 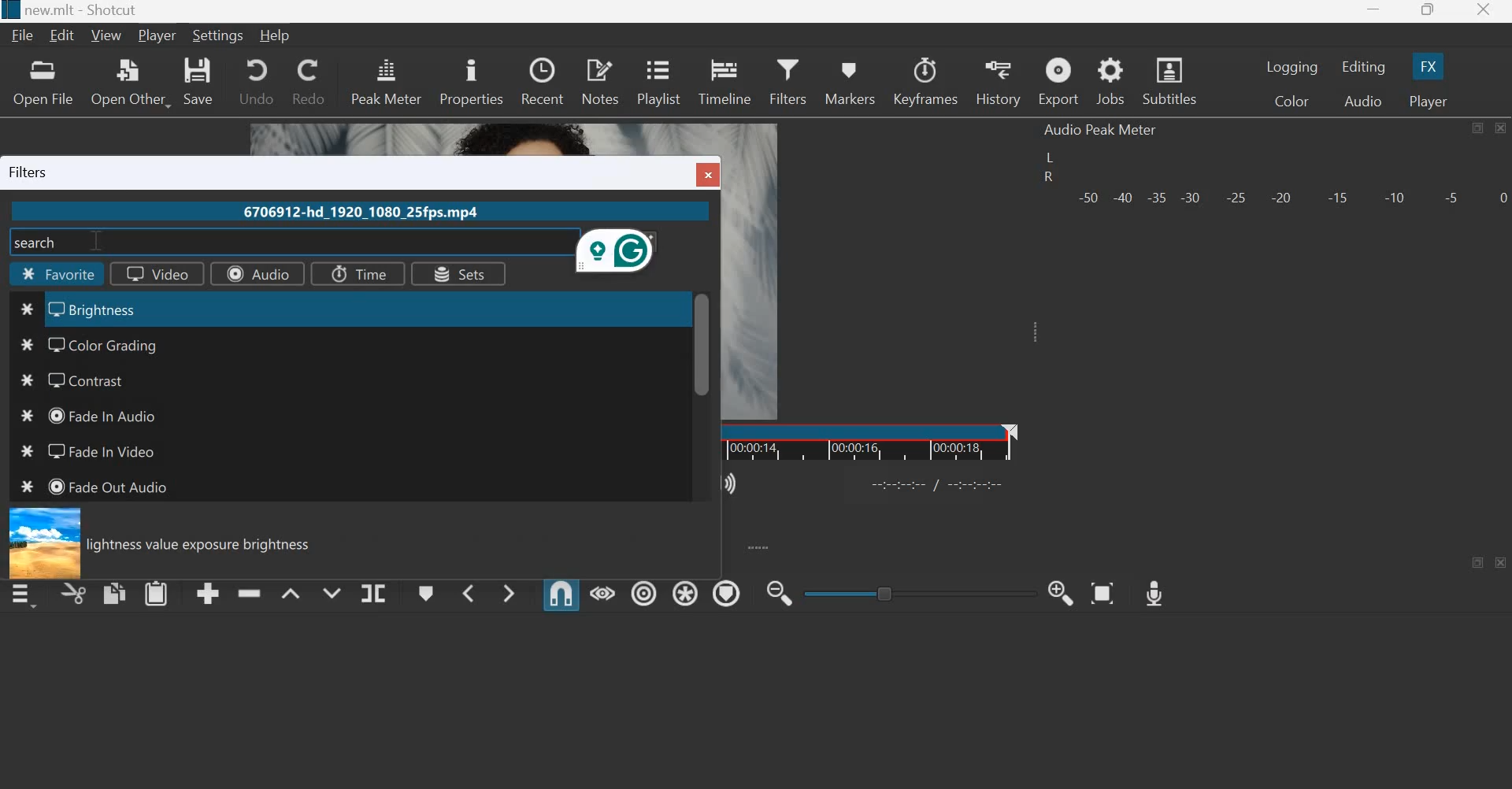 I want to click on ripple delete, so click(x=250, y=591).